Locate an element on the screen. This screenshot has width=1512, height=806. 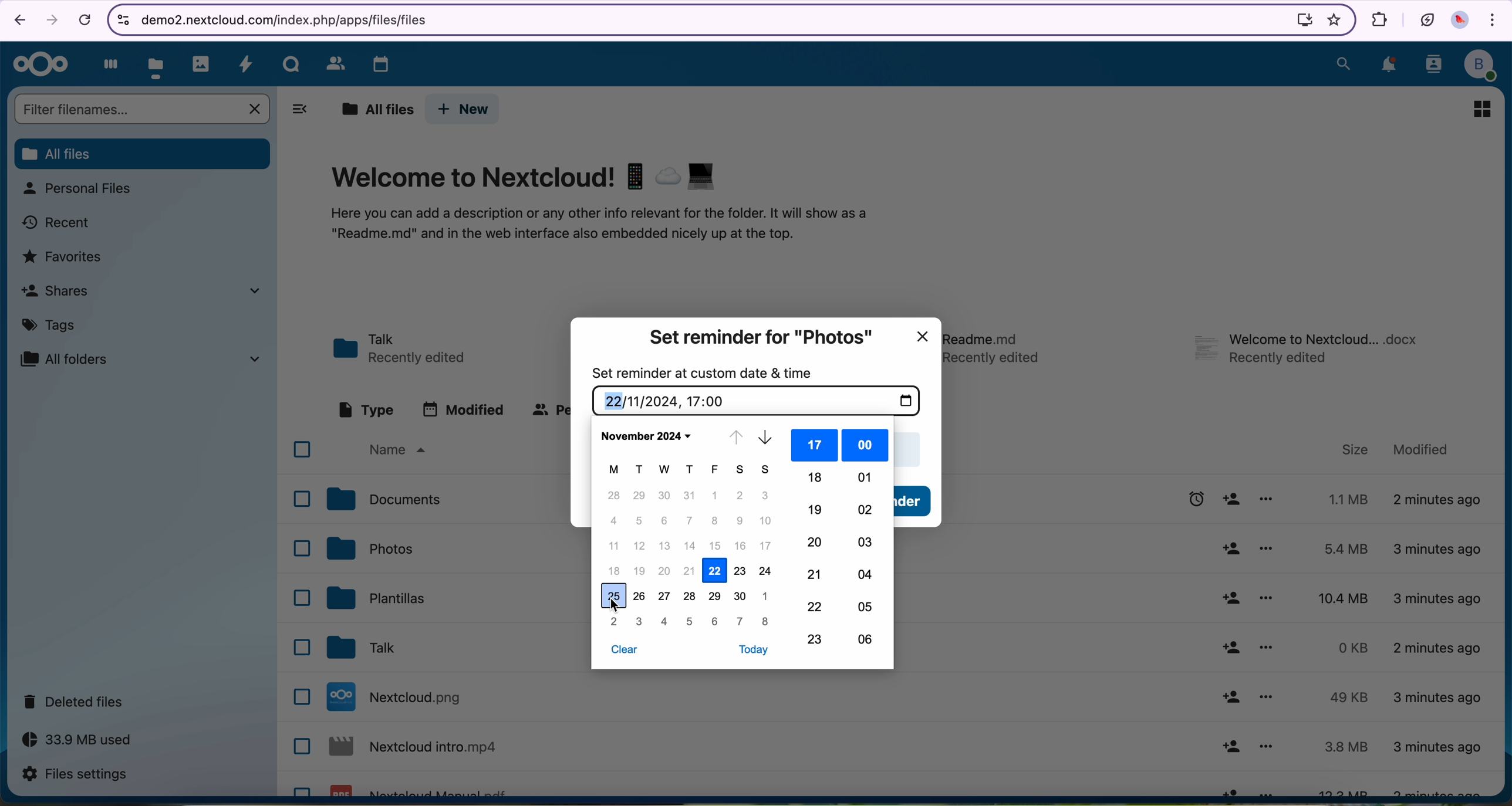
URL is located at coordinates (293, 19).